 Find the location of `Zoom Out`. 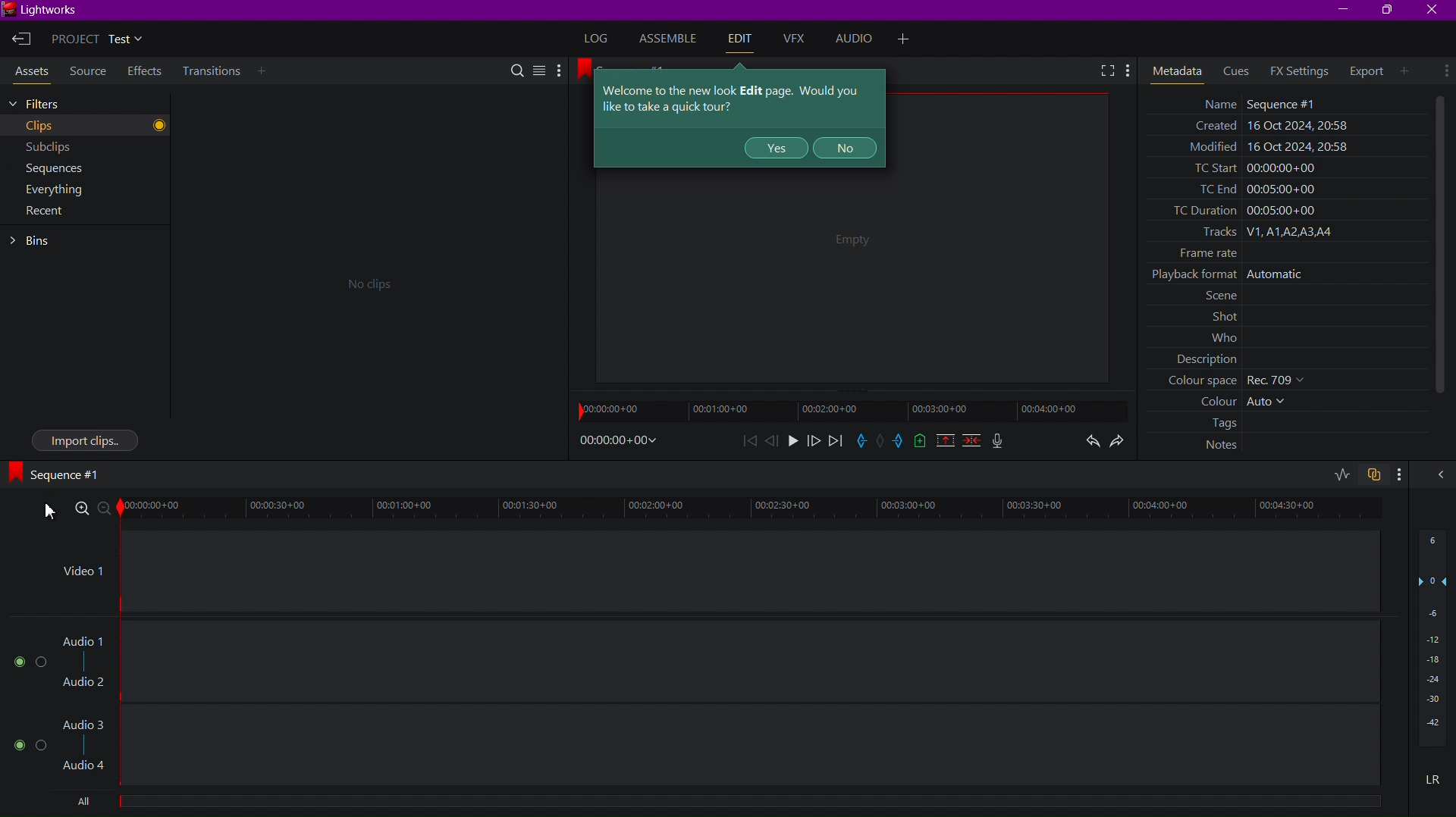

Zoom Out is located at coordinates (106, 509).